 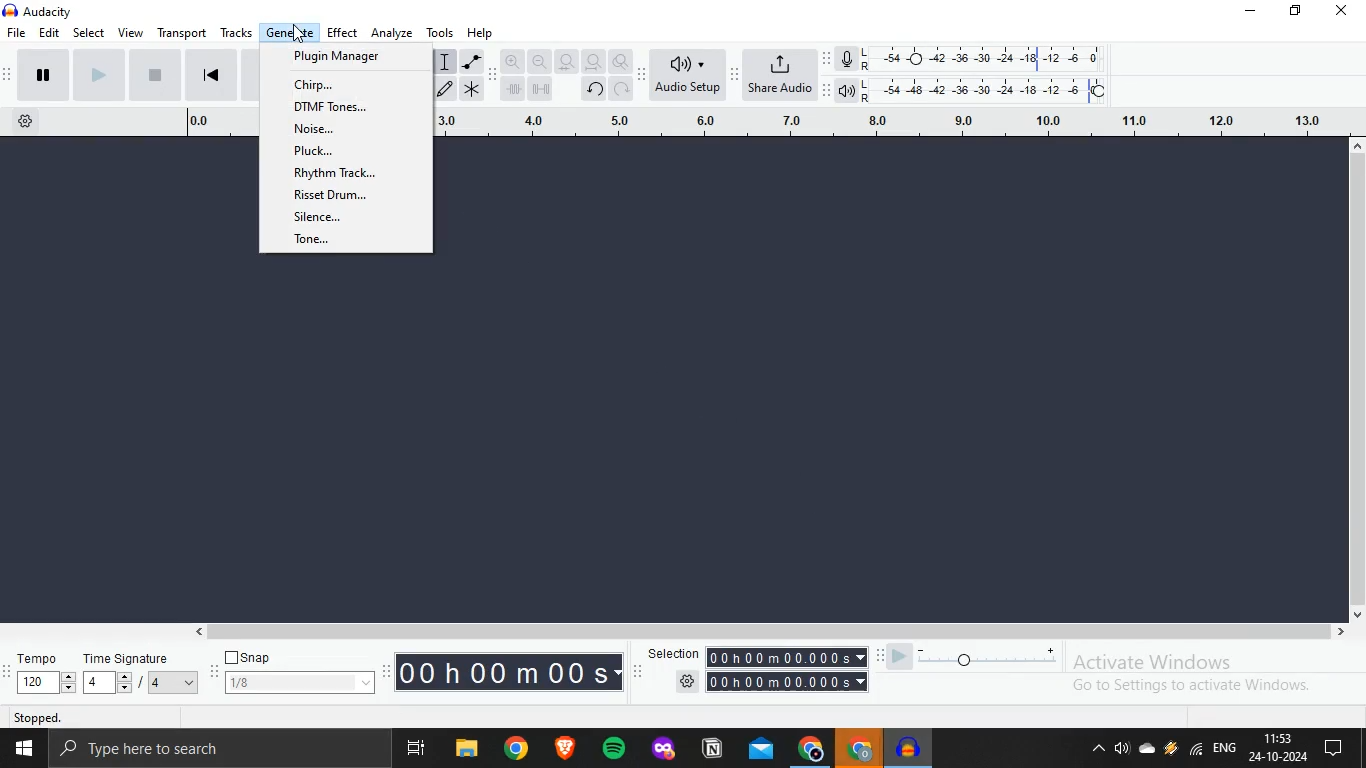 I want to click on Tools, so click(x=441, y=31).